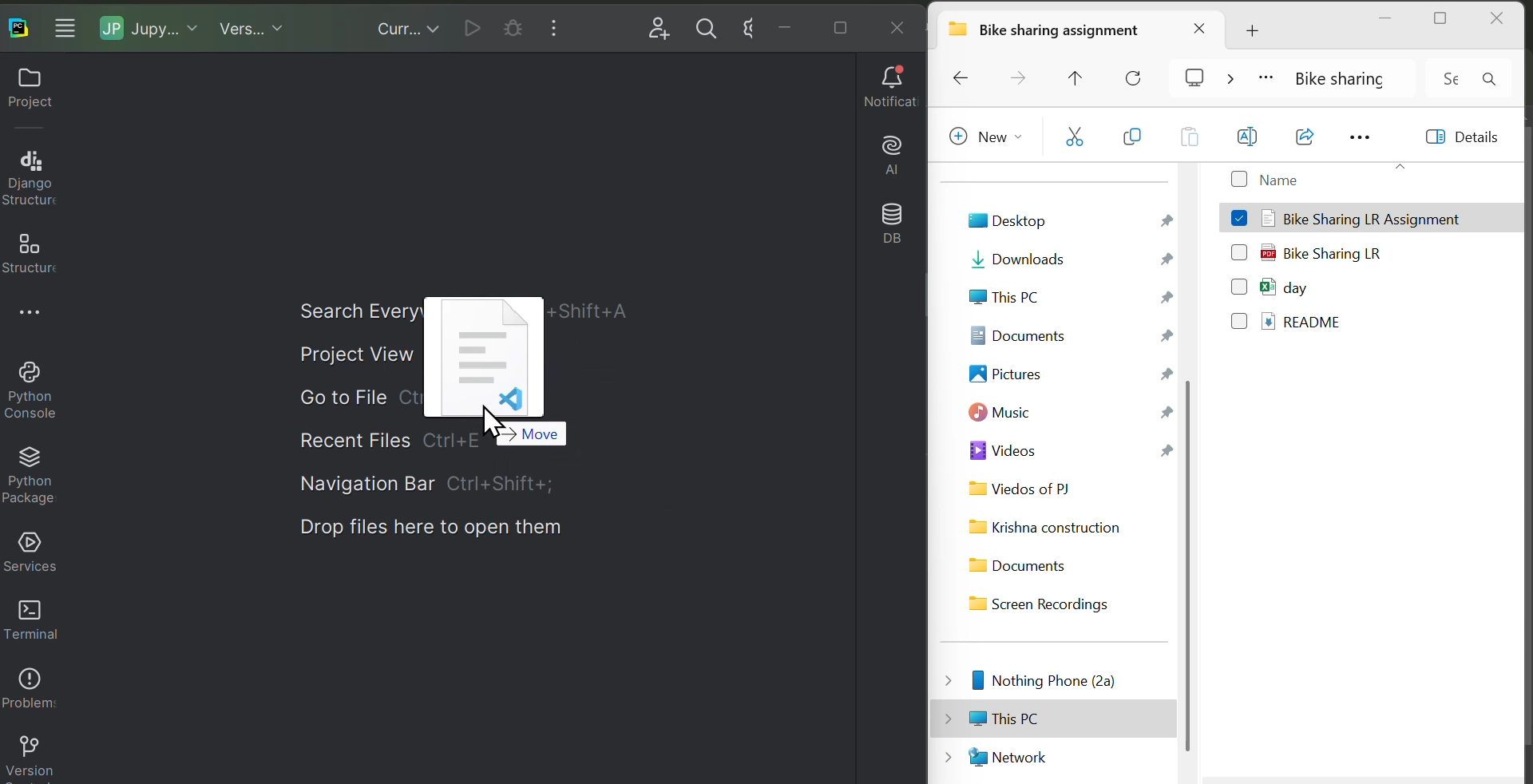 This screenshot has width=1533, height=784. I want to click on Navigation bar, so click(458, 488).